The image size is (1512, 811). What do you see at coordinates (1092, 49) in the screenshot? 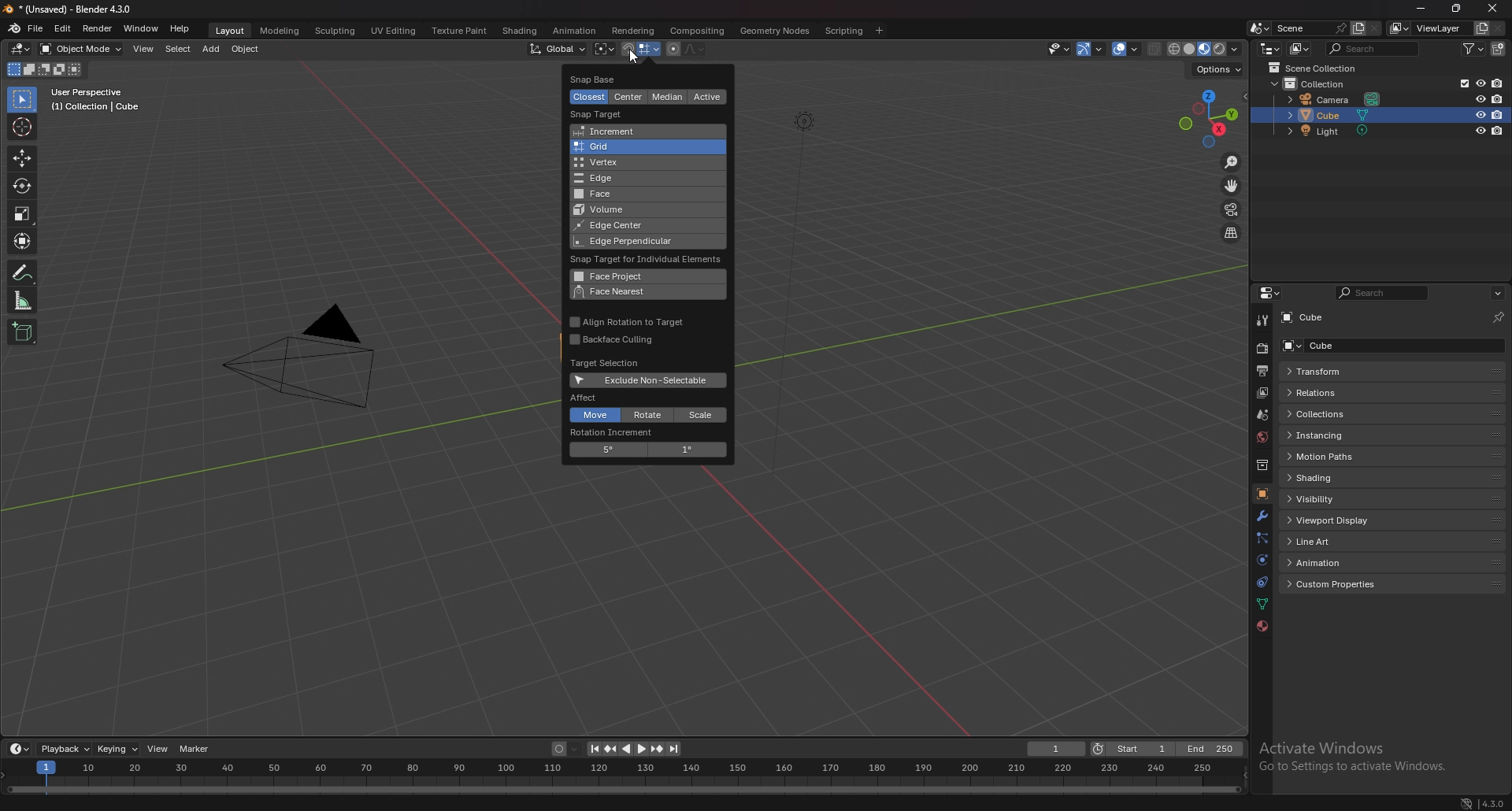
I see `gizmo` at bounding box center [1092, 49].